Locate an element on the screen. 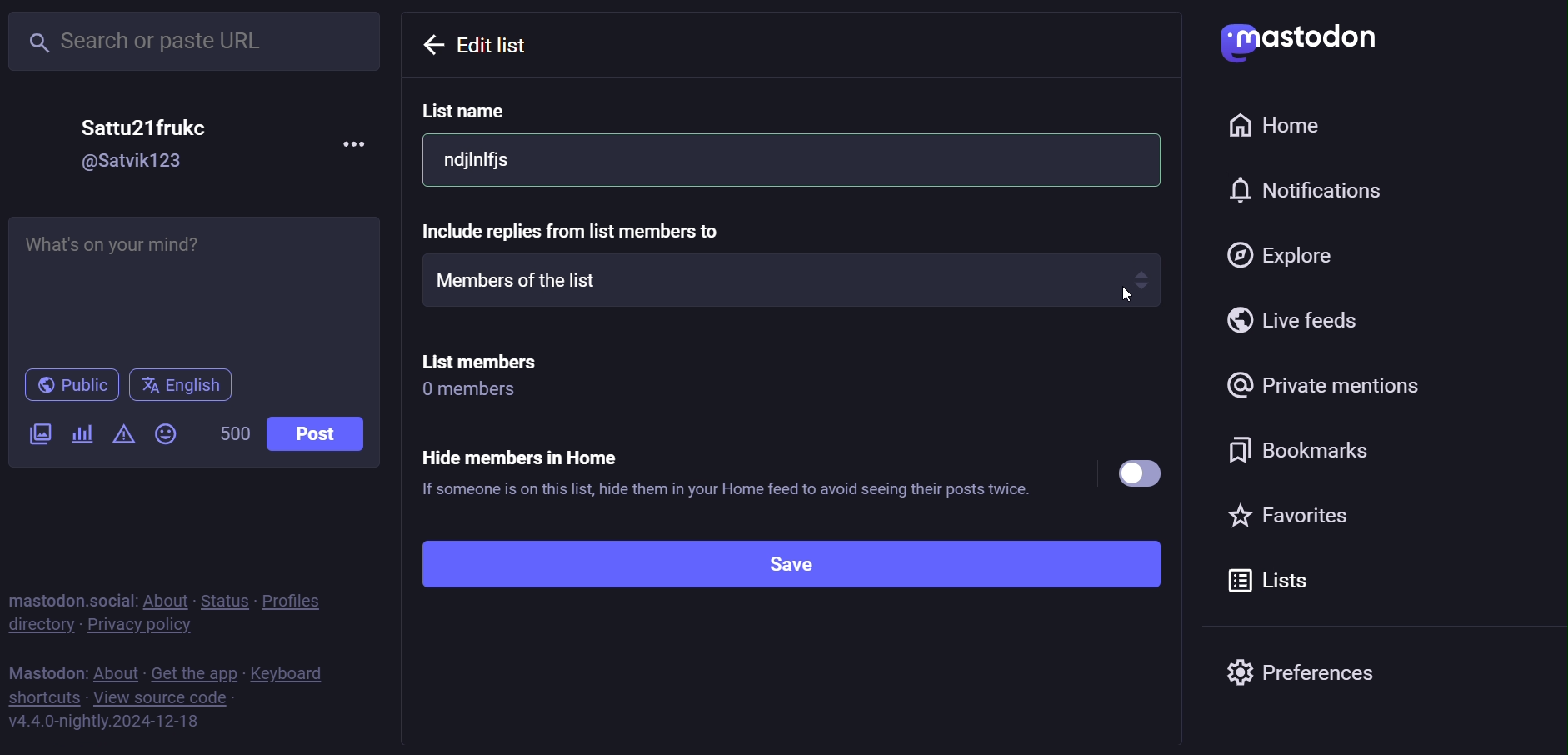 This screenshot has height=755, width=1568. Sattu21fruke is located at coordinates (150, 125).